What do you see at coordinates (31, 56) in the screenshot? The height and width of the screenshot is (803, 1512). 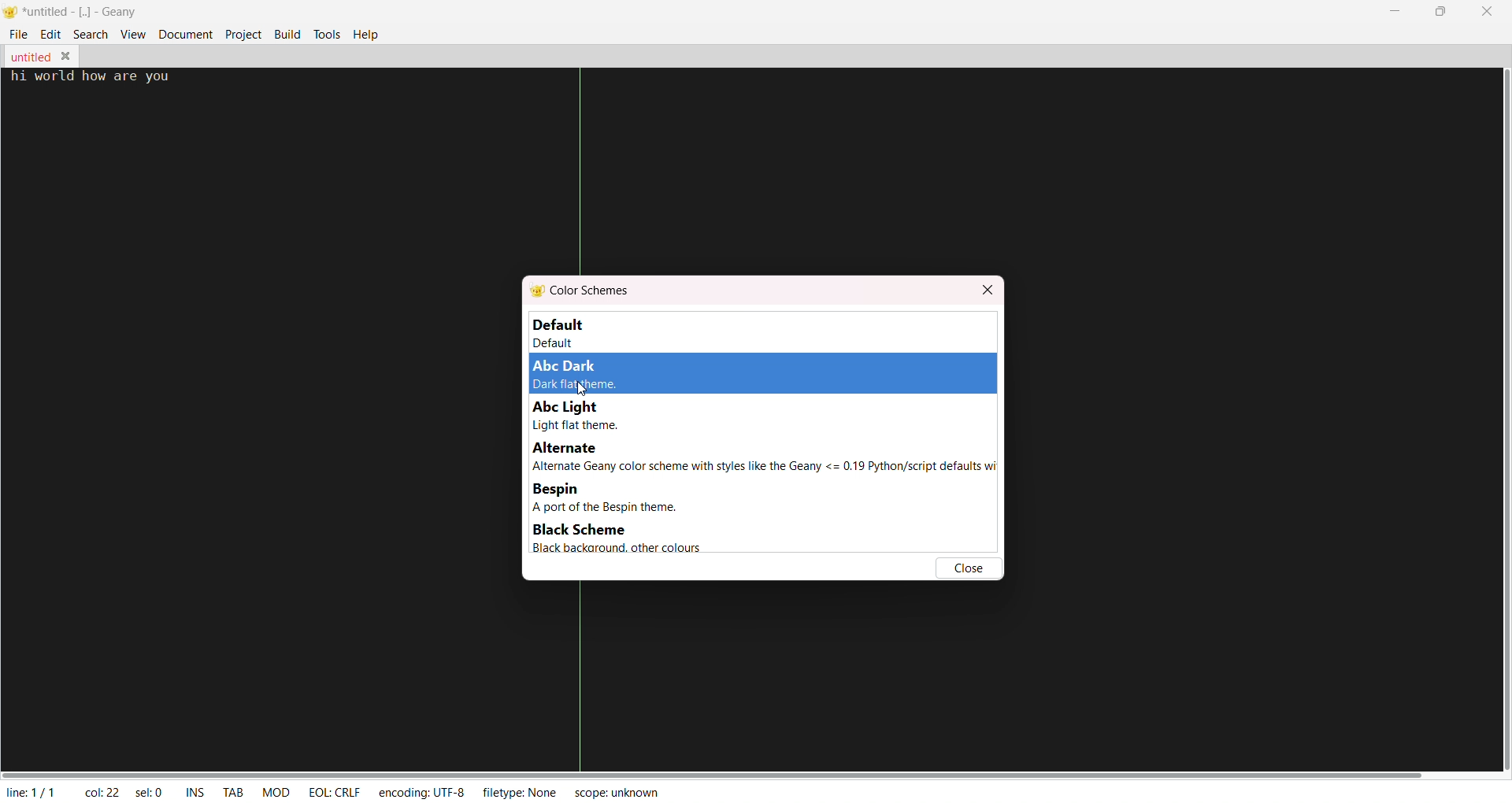 I see `untilted` at bounding box center [31, 56].